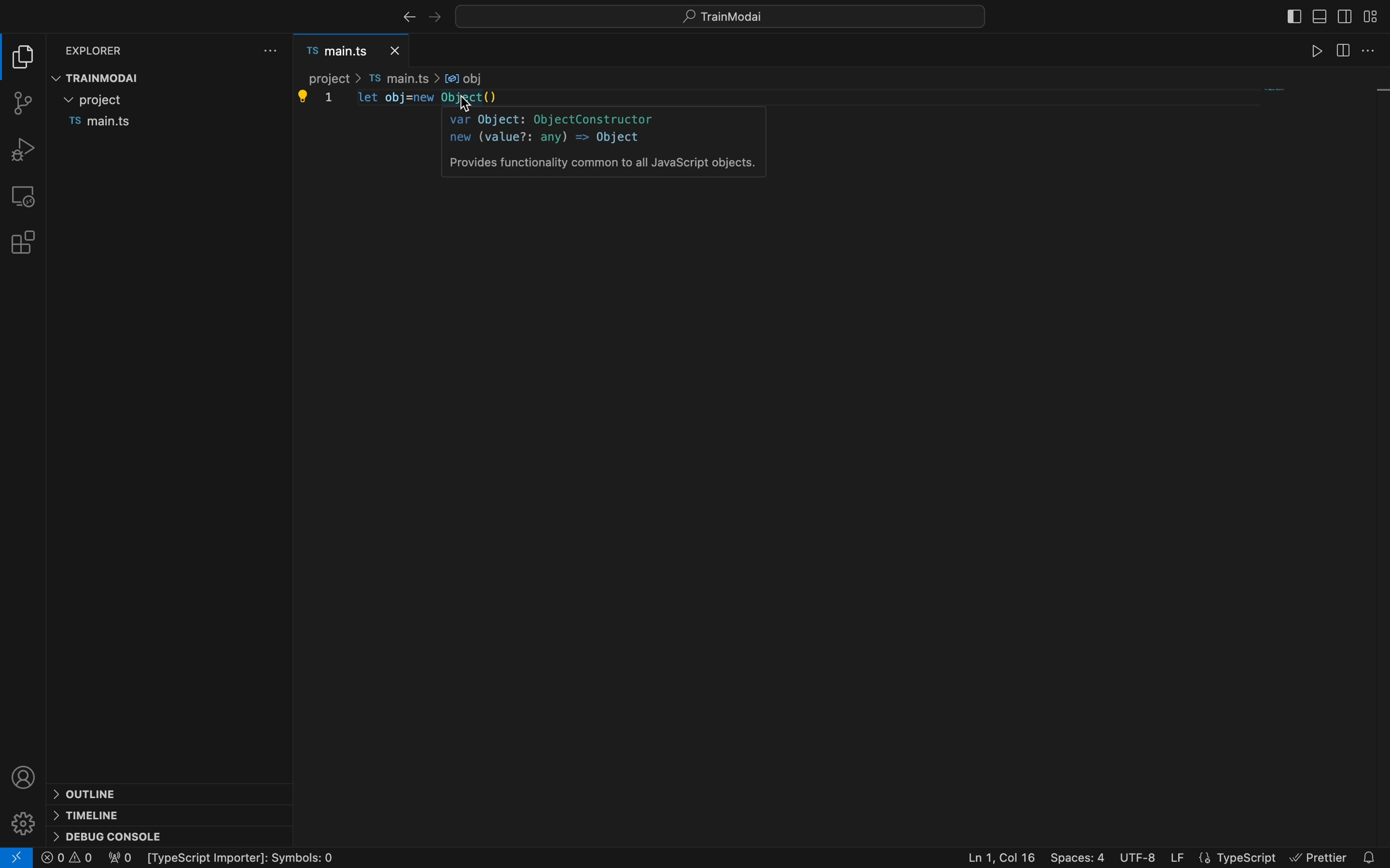  I want to click on trainmodal, so click(102, 76).